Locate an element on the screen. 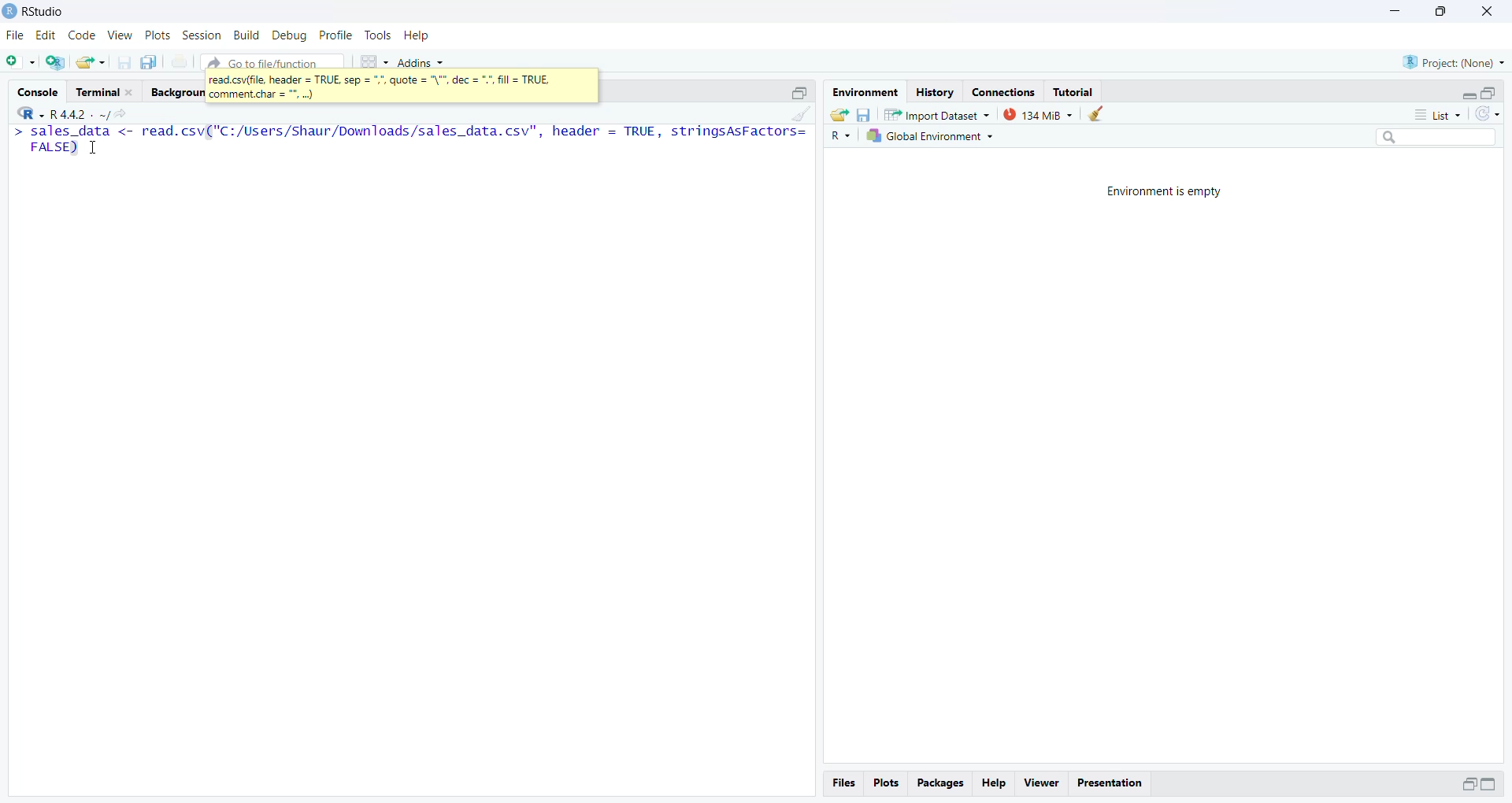  Build is located at coordinates (247, 35).